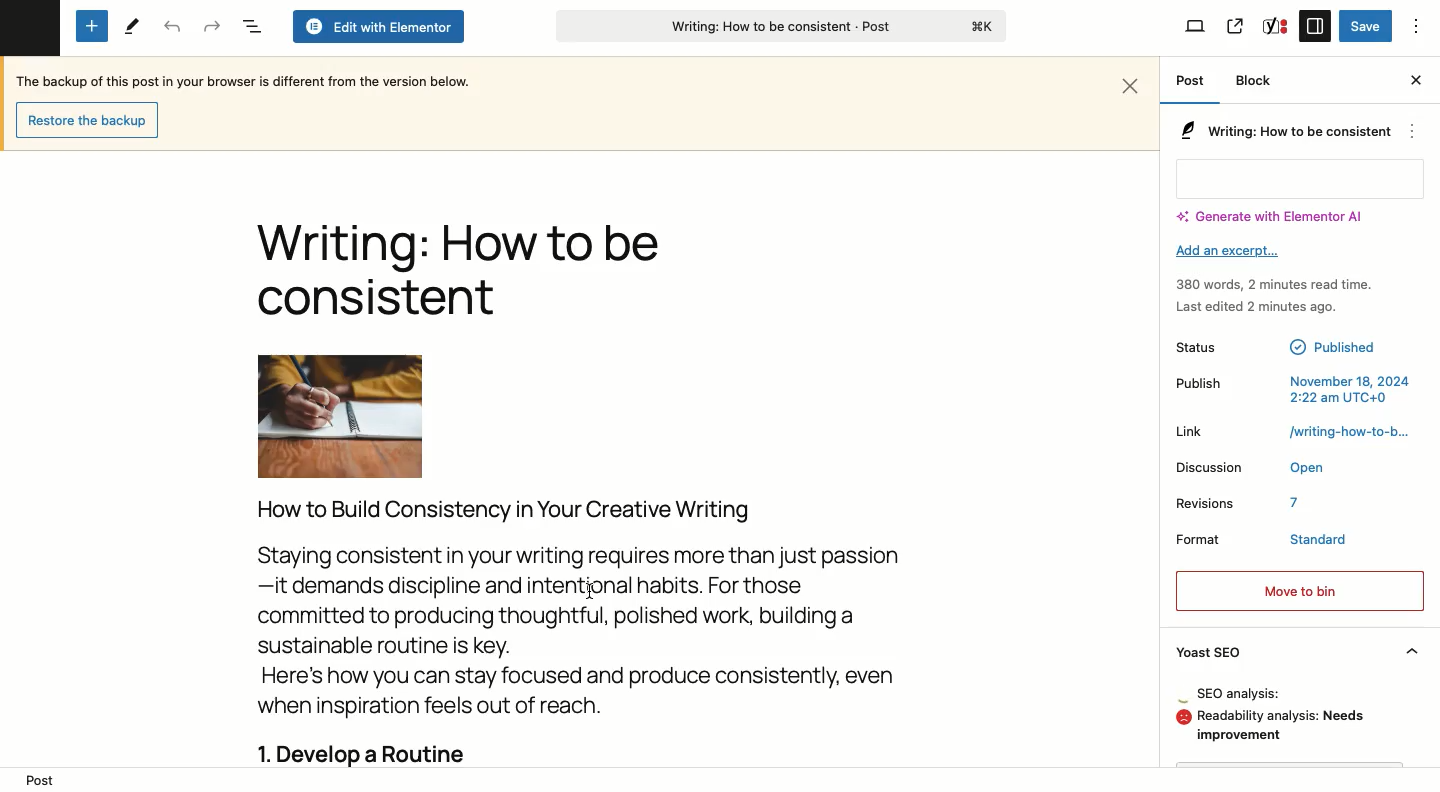 Image resolution: width=1440 pixels, height=792 pixels. I want to click on Block, so click(1261, 81).